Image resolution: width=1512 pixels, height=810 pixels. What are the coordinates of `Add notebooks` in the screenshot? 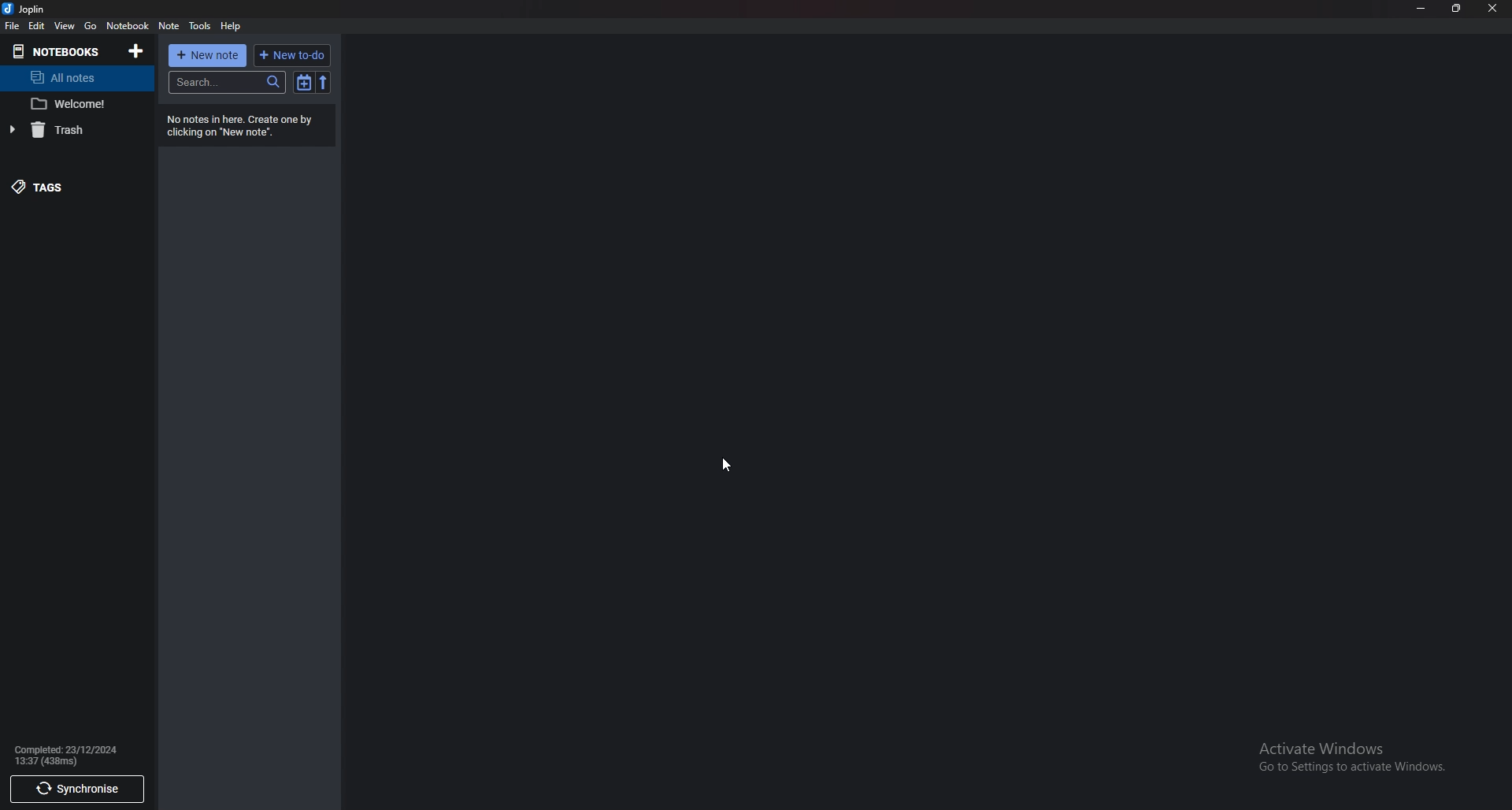 It's located at (135, 52).